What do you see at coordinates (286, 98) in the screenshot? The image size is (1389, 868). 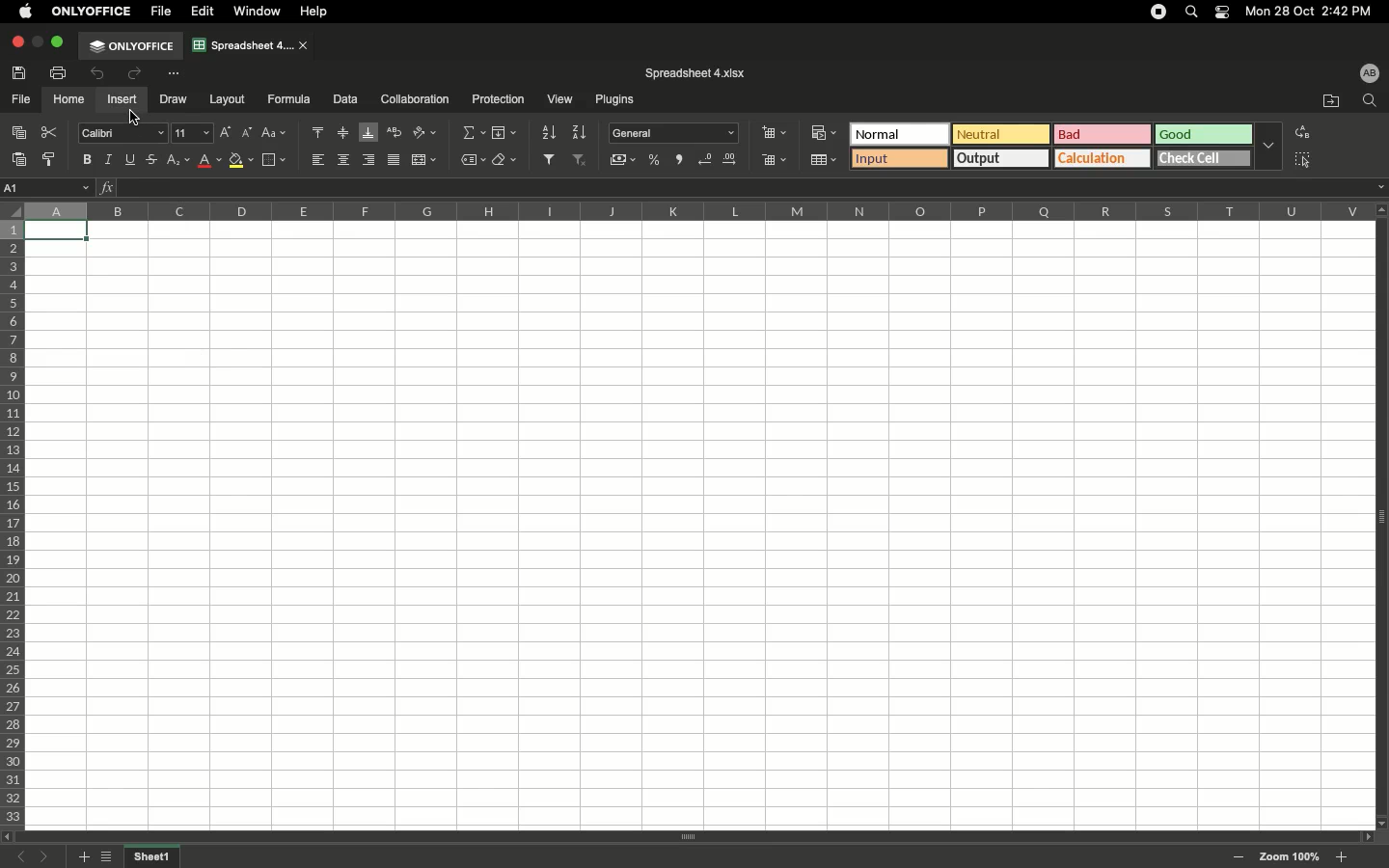 I see `Formula` at bounding box center [286, 98].